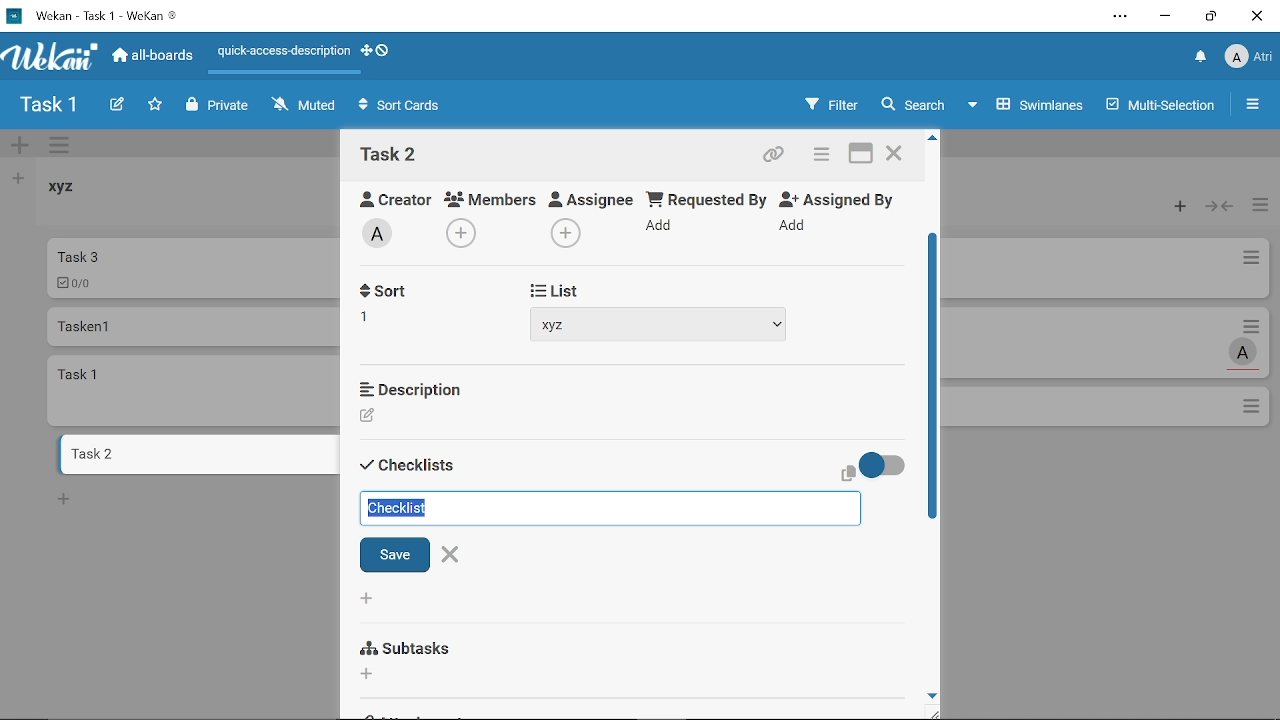  I want to click on Subtasks, so click(418, 646).